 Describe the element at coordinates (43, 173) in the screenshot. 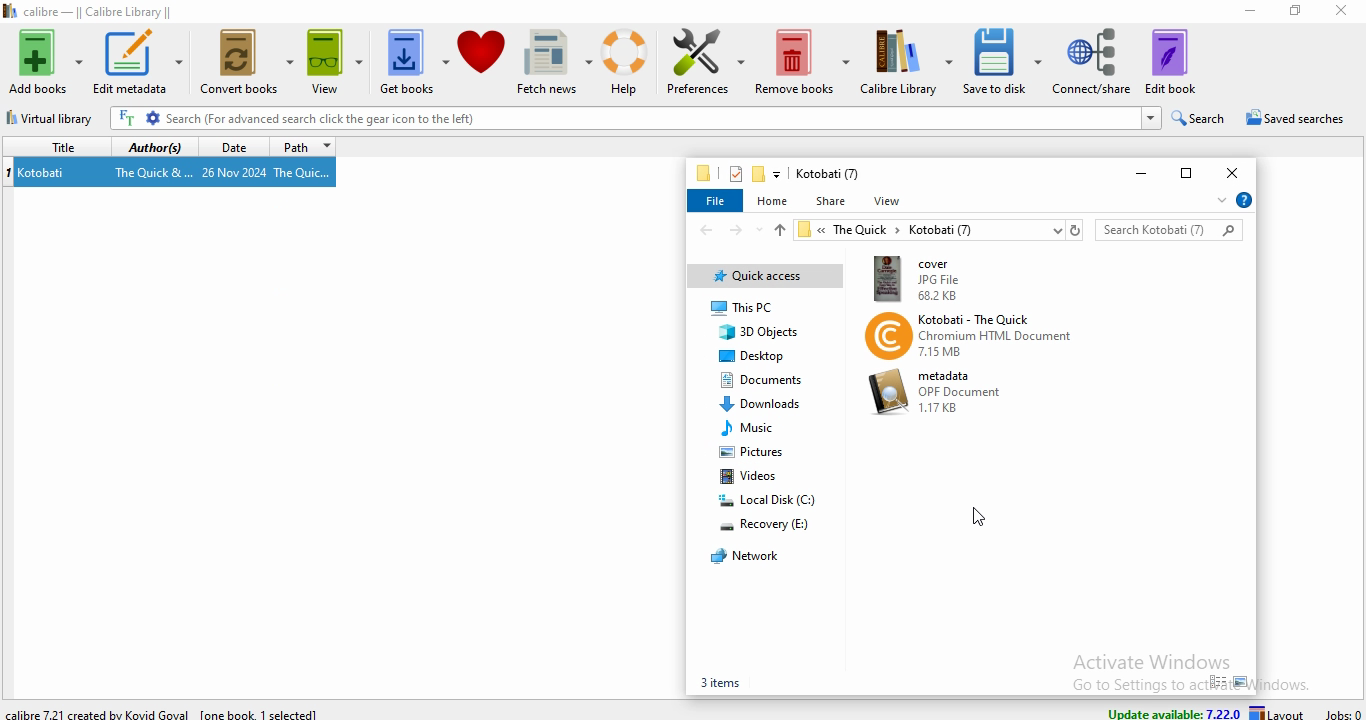

I see `Kotobati` at that location.